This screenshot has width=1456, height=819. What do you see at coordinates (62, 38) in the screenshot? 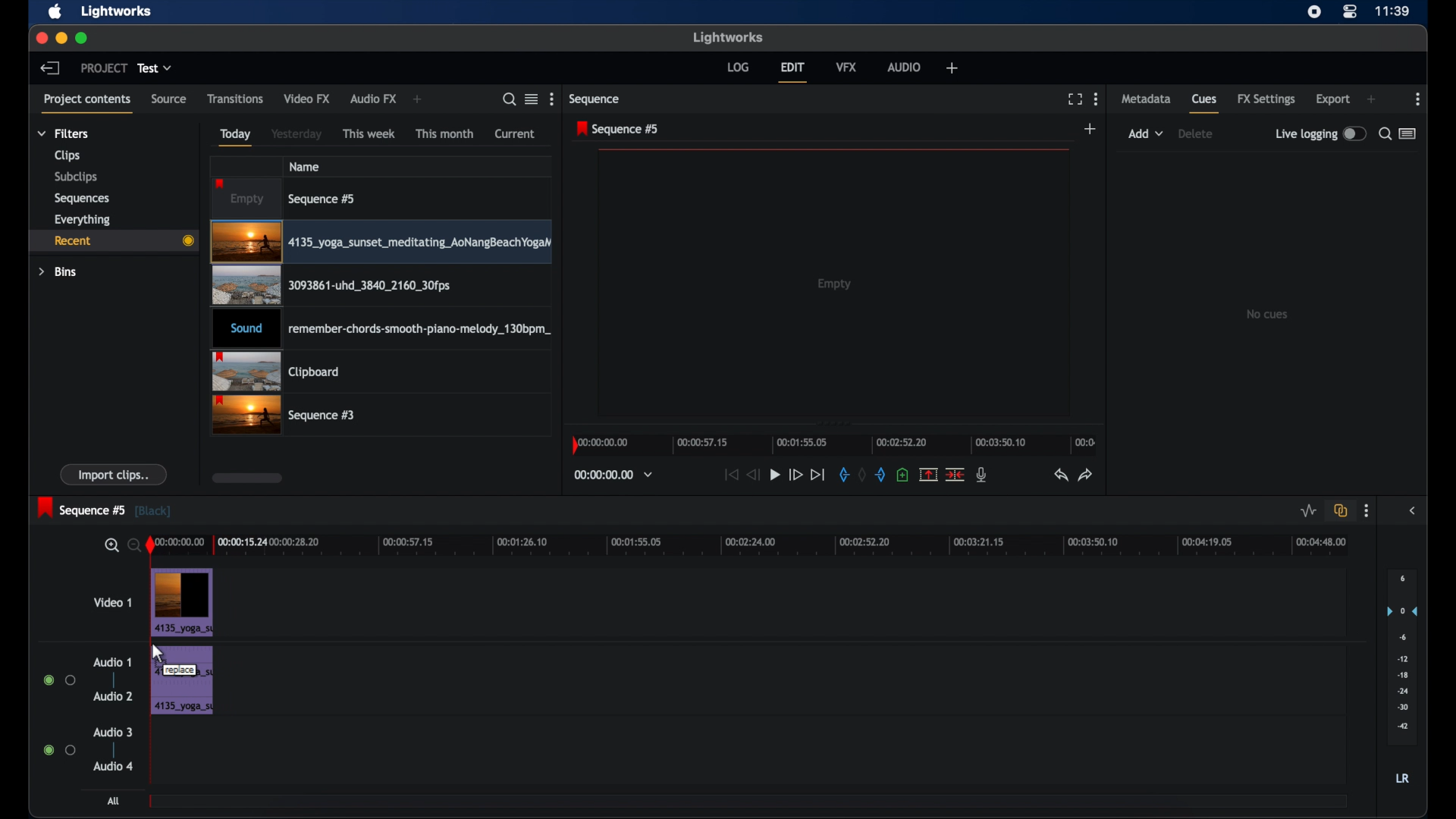
I see `minimize` at bounding box center [62, 38].